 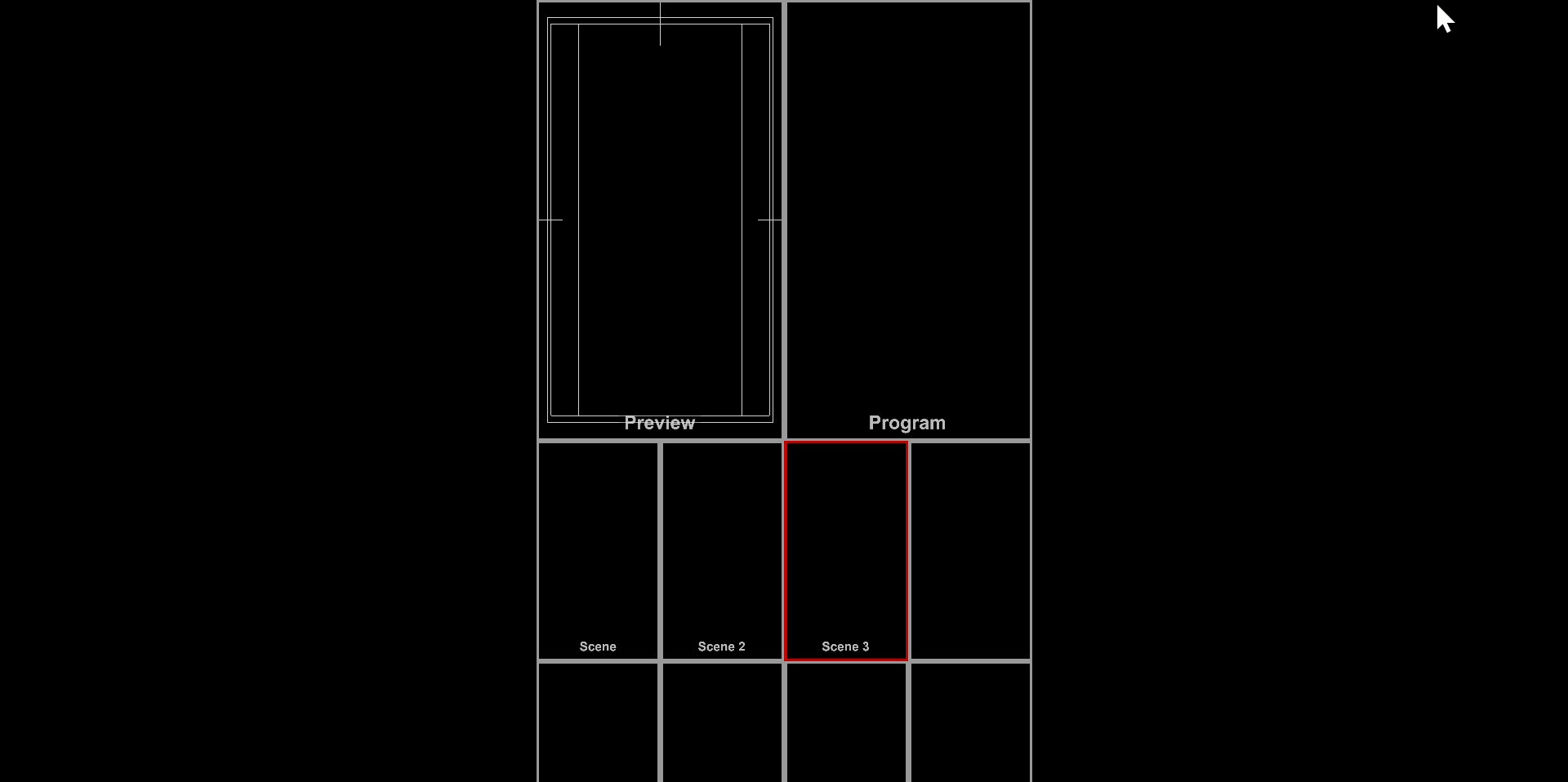 What do you see at coordinates (722, 551) in the screenshot?
I see `Scebe` at bounding box center [722, 551].